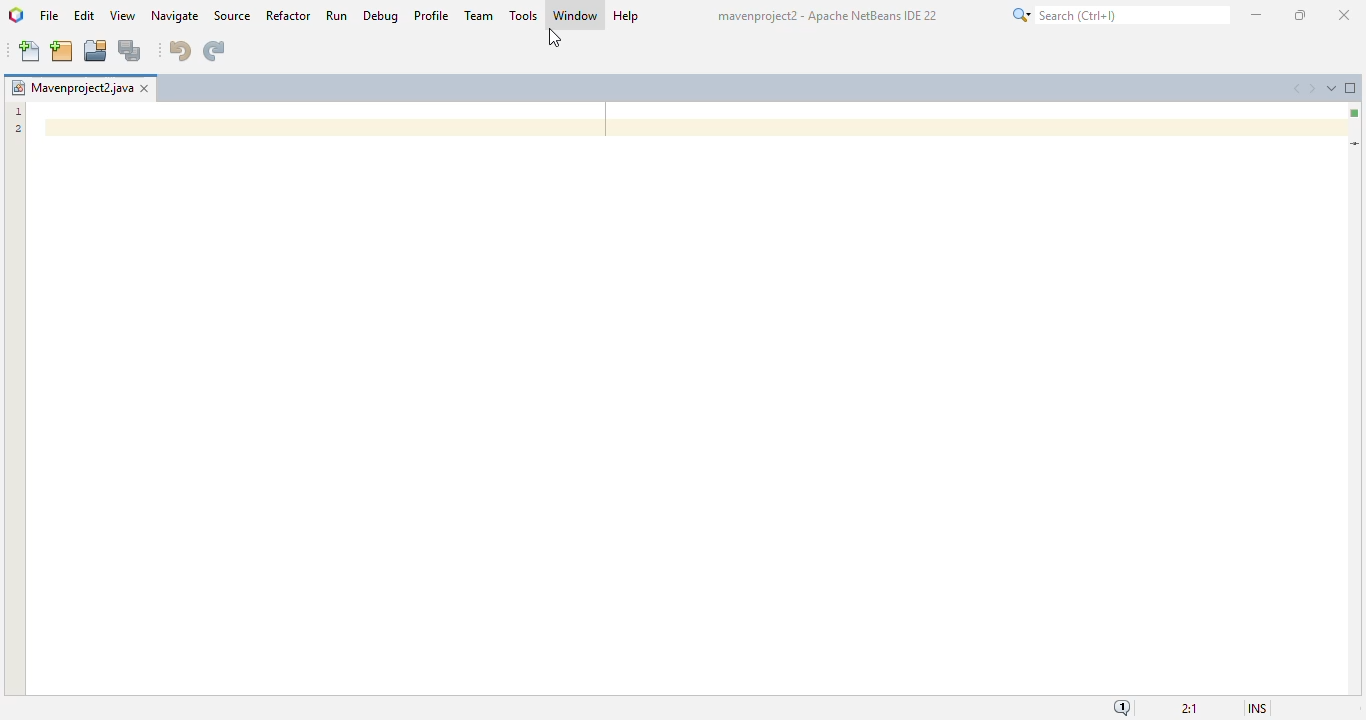 This screenshot has width=1366, height=720. Describe the element at coordinates (123, 15) in the screenshot. I see `view` at that location.